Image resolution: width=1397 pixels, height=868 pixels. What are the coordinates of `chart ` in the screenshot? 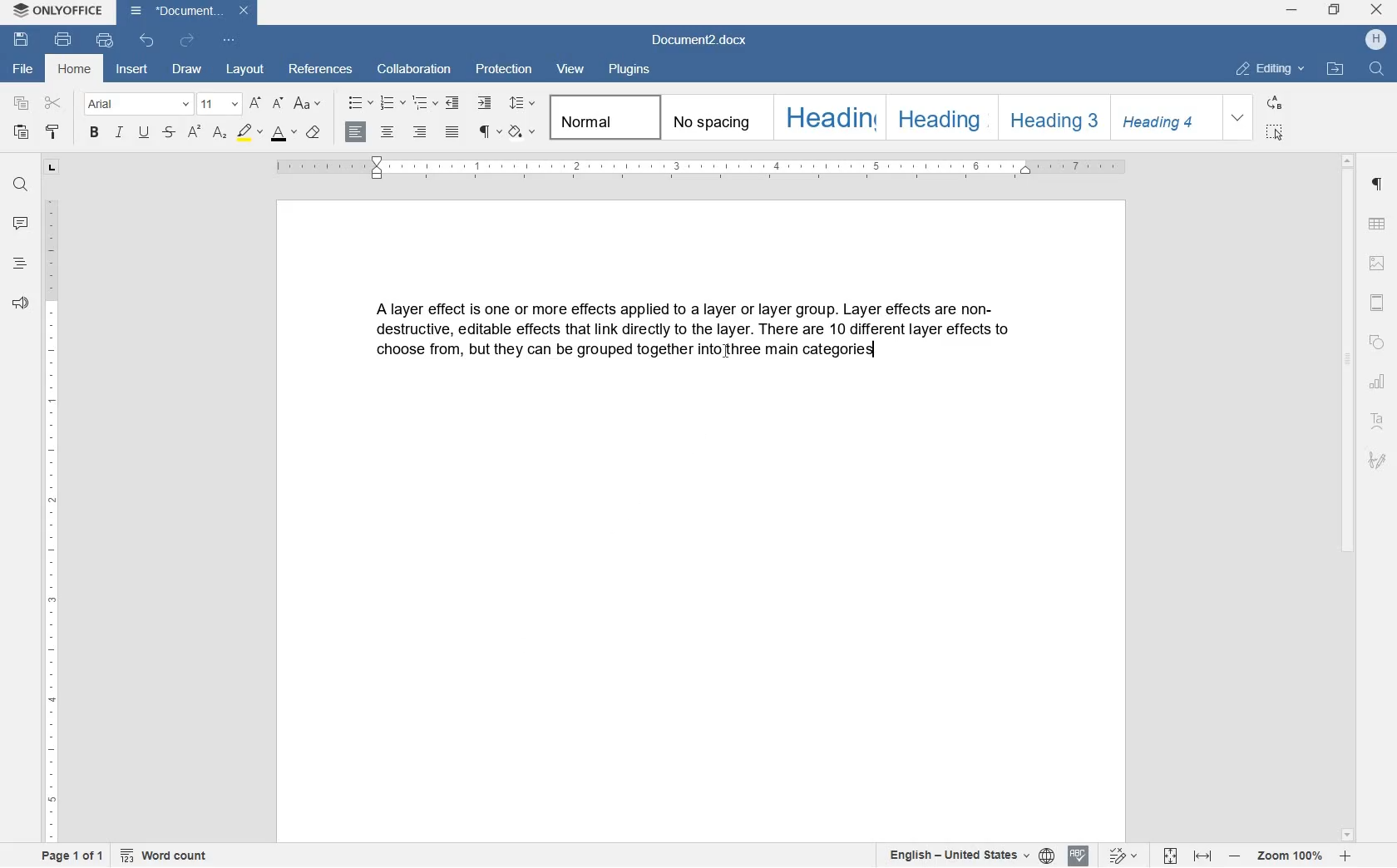 It's located at (1380, 383).